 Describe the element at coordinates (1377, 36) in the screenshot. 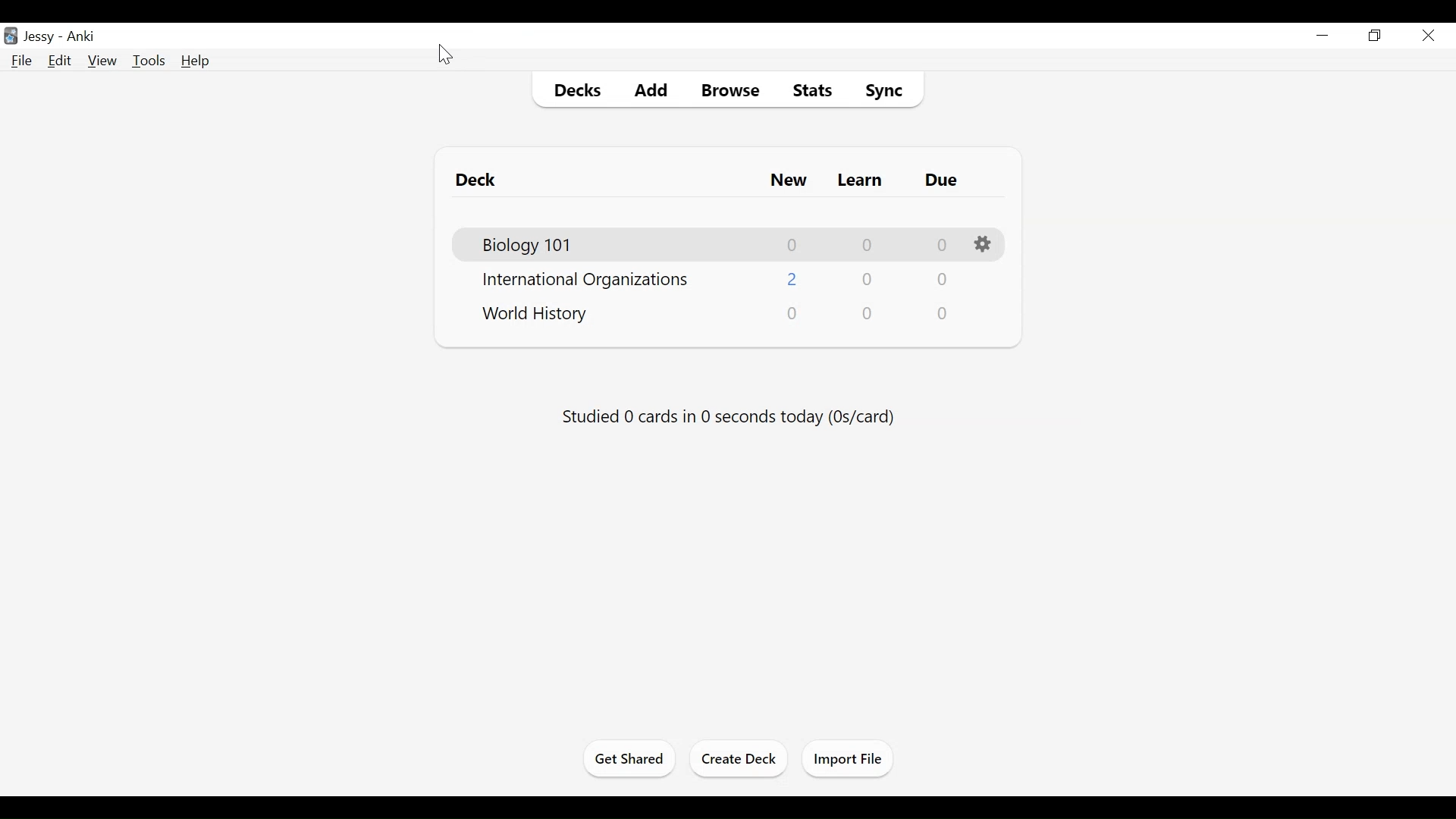

I see `Restore` at that location.